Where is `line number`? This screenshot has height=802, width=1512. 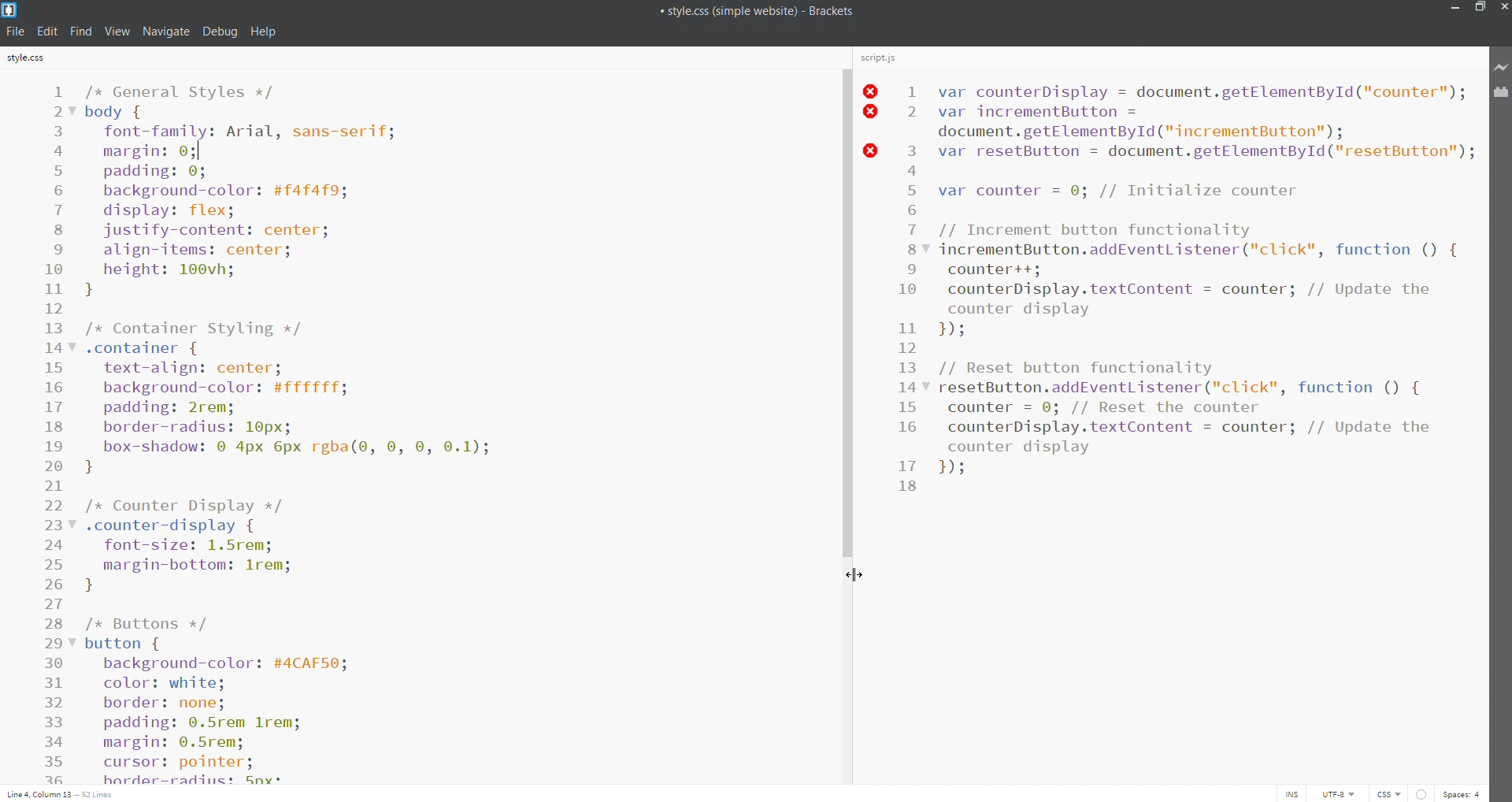
line number is located at coordinates (907, 285).